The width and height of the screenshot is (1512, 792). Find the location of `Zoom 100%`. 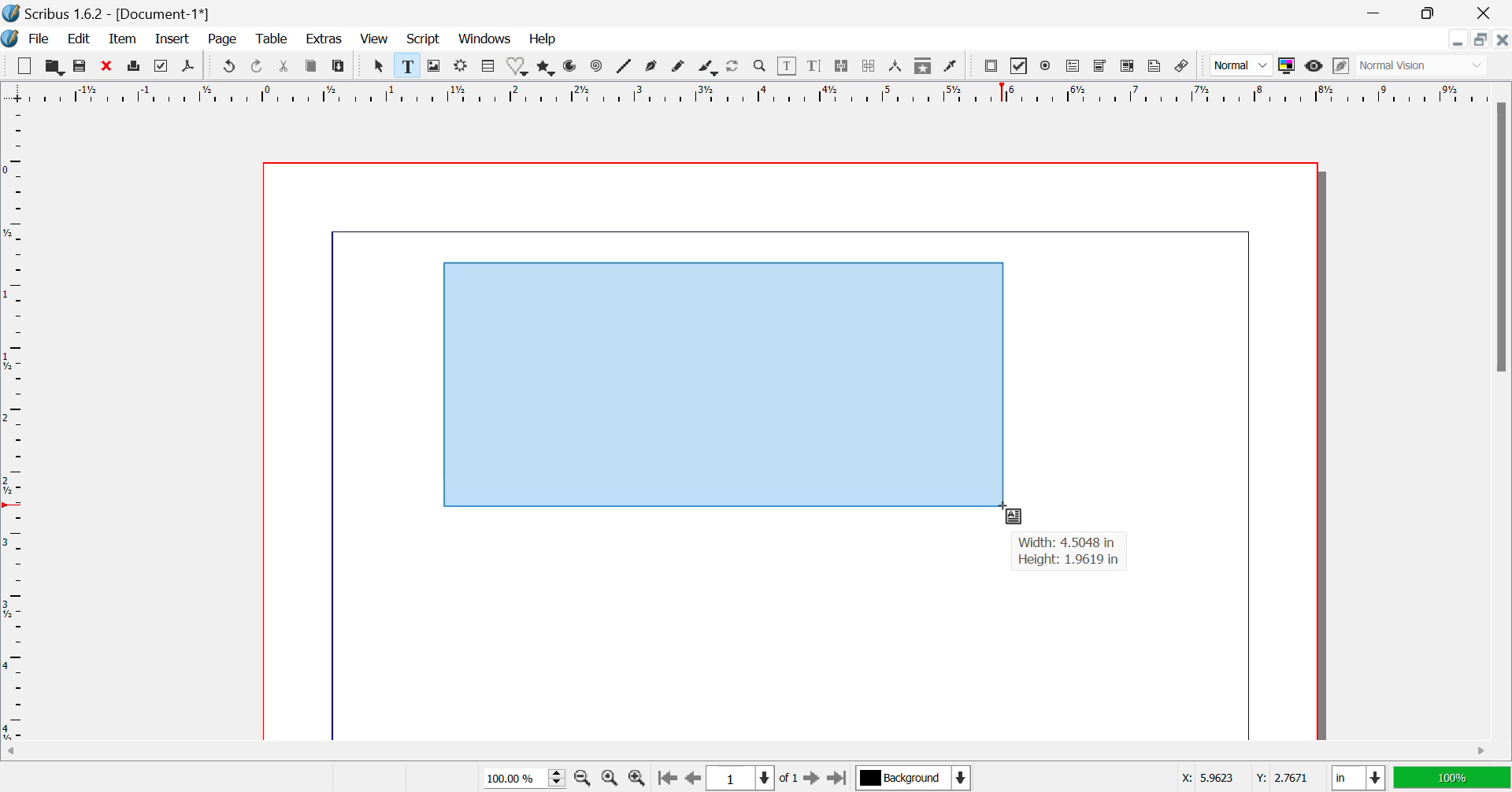

Zoom 100% is located at coordinates (526, 777).